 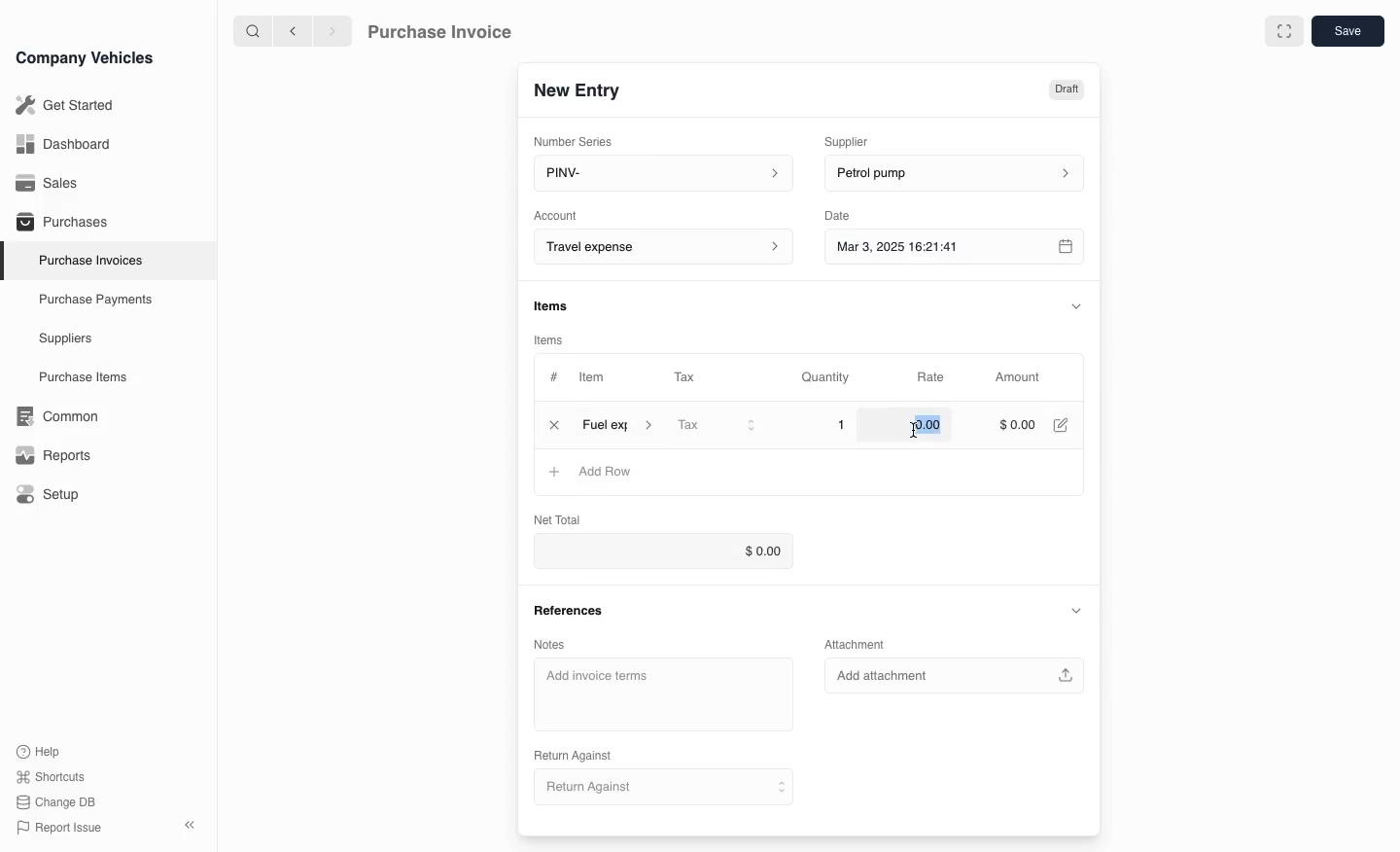 What do you see at coordinates (76, 377) in the screenshot?
I see `Purchase items` at bounding box center [76, 377].